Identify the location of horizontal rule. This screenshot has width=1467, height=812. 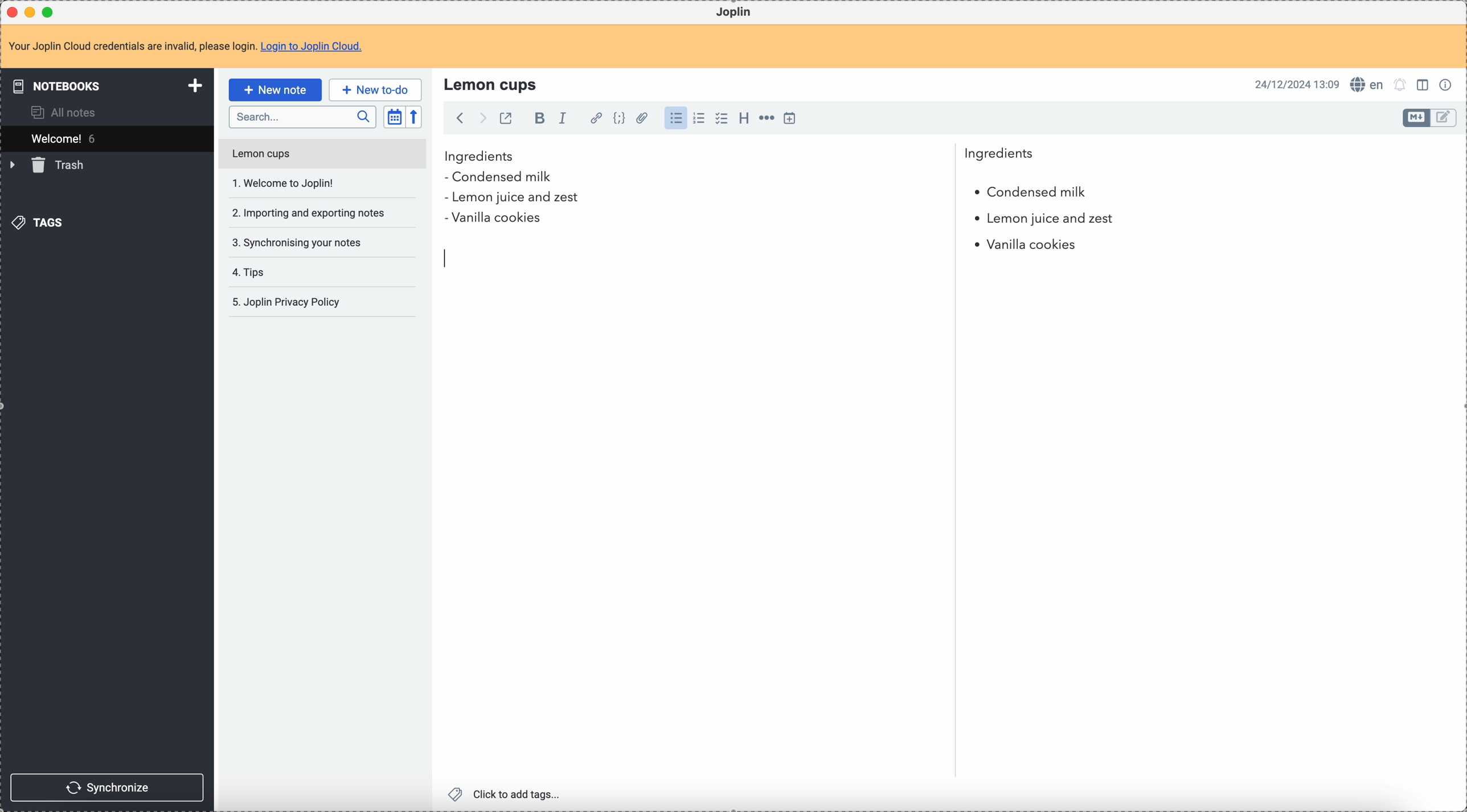
(765, 120).